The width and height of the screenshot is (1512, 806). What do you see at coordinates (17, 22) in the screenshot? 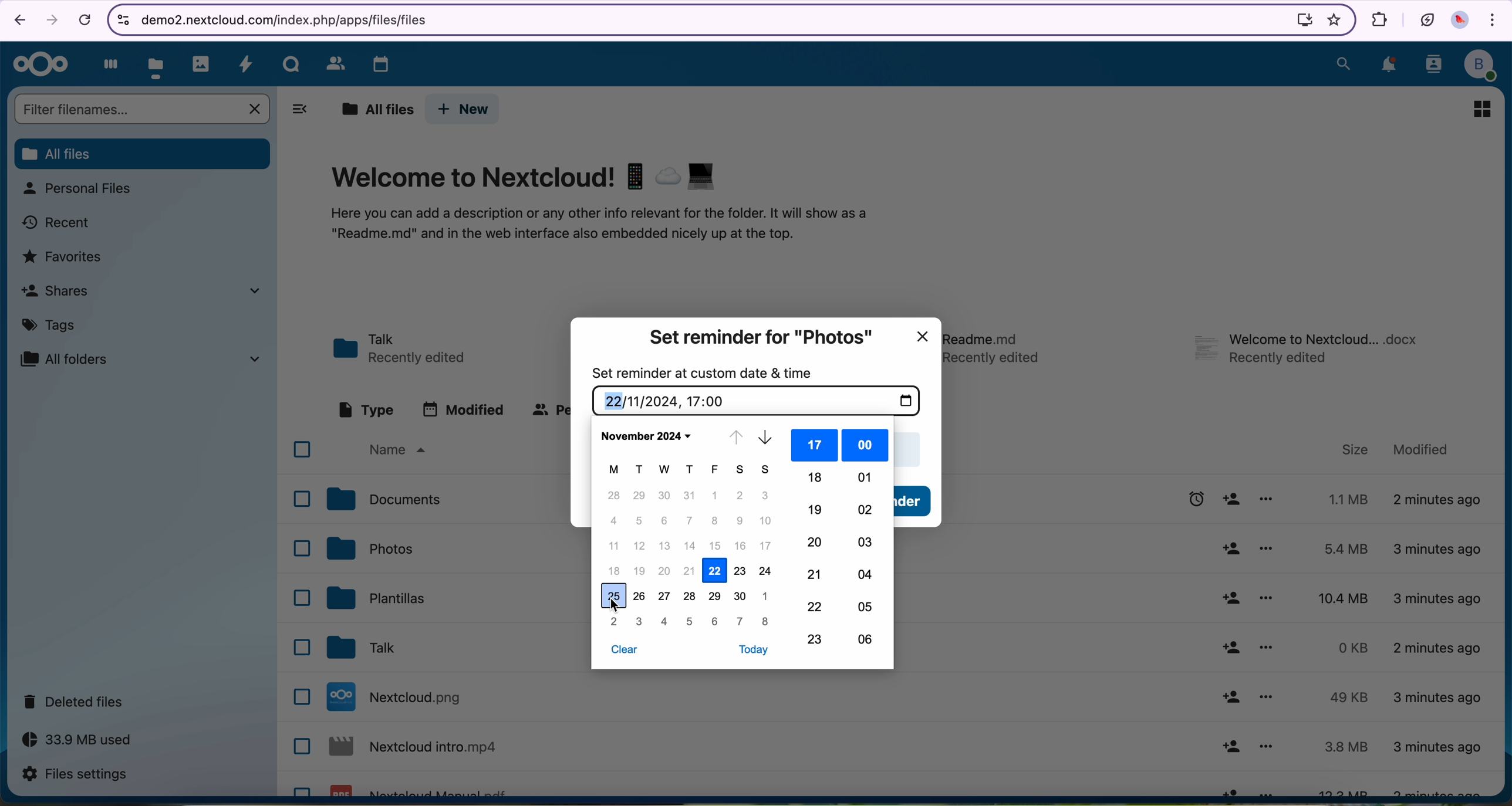
I see `navigate back` at bounding box center [17, 22].